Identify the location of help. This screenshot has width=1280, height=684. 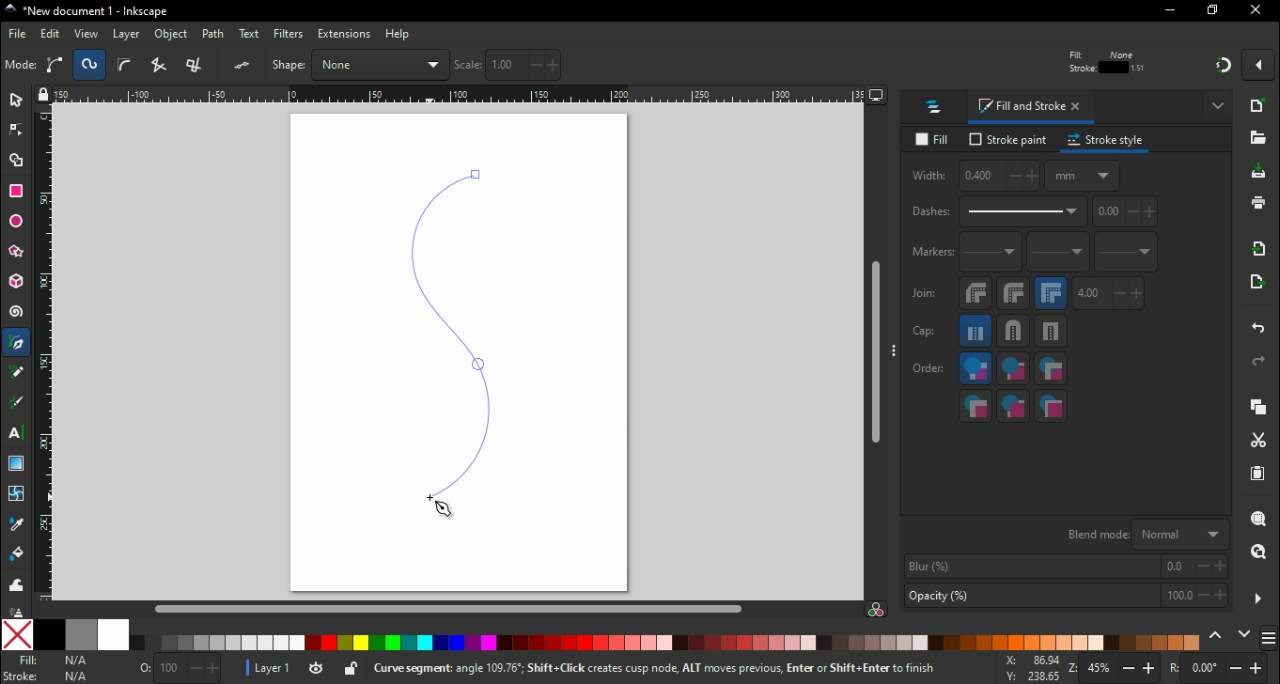
(399, 35).